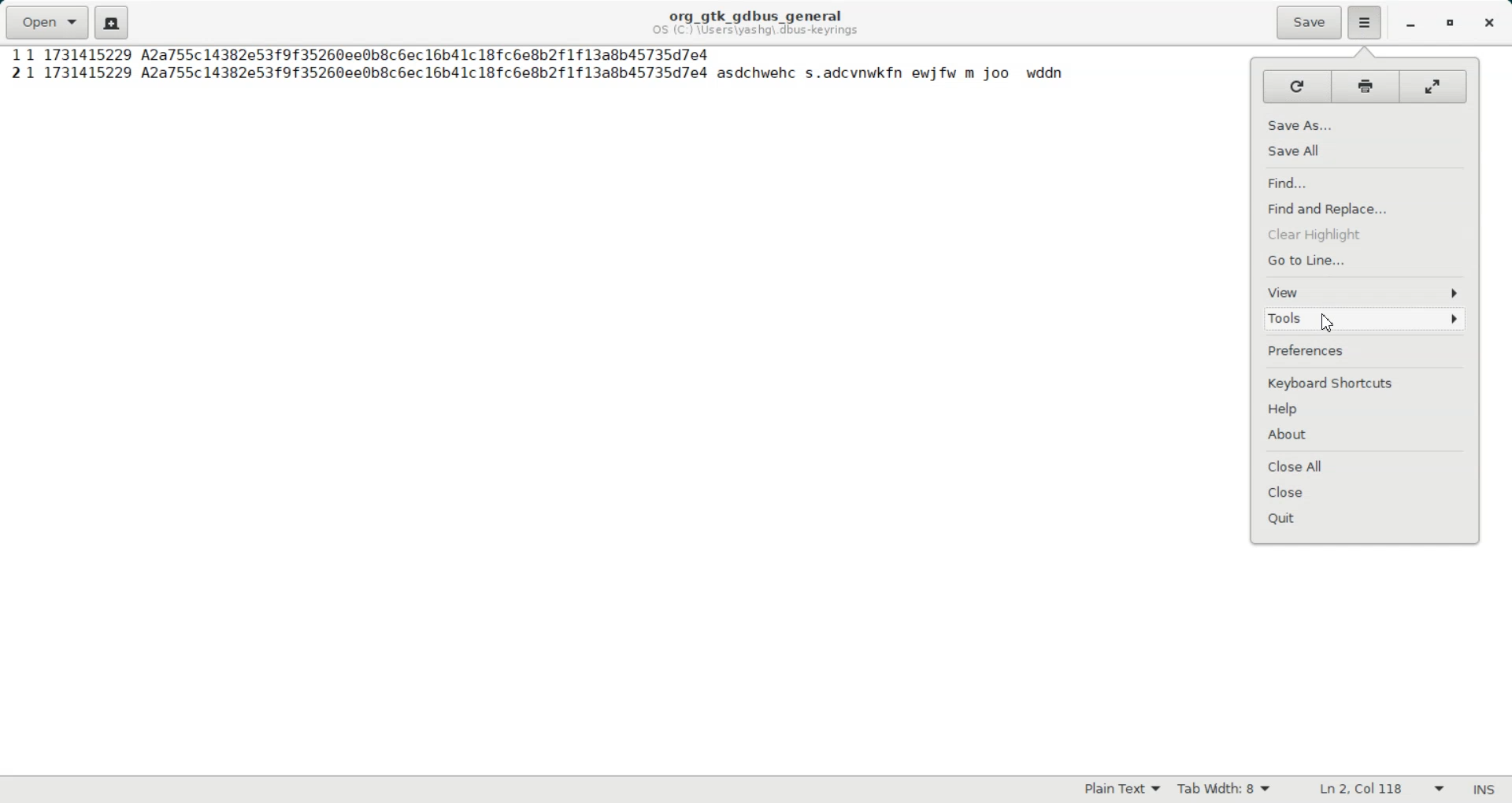 The image size is (1512, 803). I want to click on Close, so click(1490, 23).